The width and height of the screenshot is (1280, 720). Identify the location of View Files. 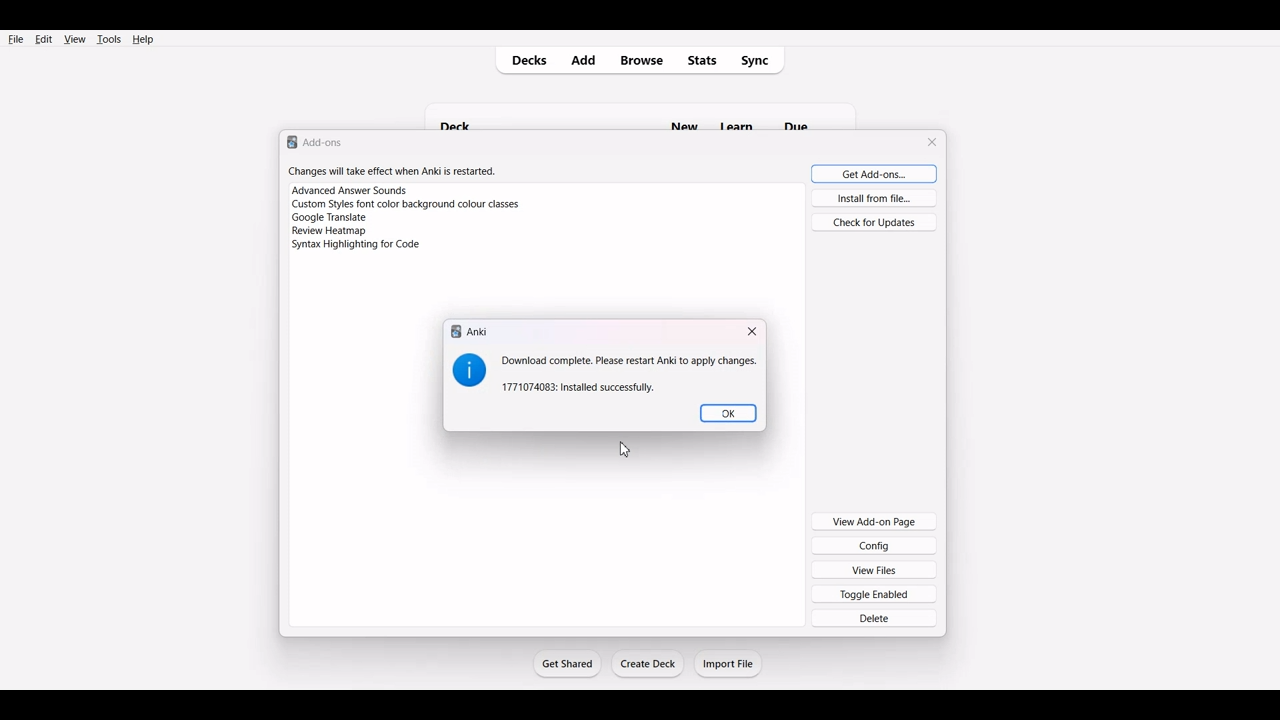
(875, 569).